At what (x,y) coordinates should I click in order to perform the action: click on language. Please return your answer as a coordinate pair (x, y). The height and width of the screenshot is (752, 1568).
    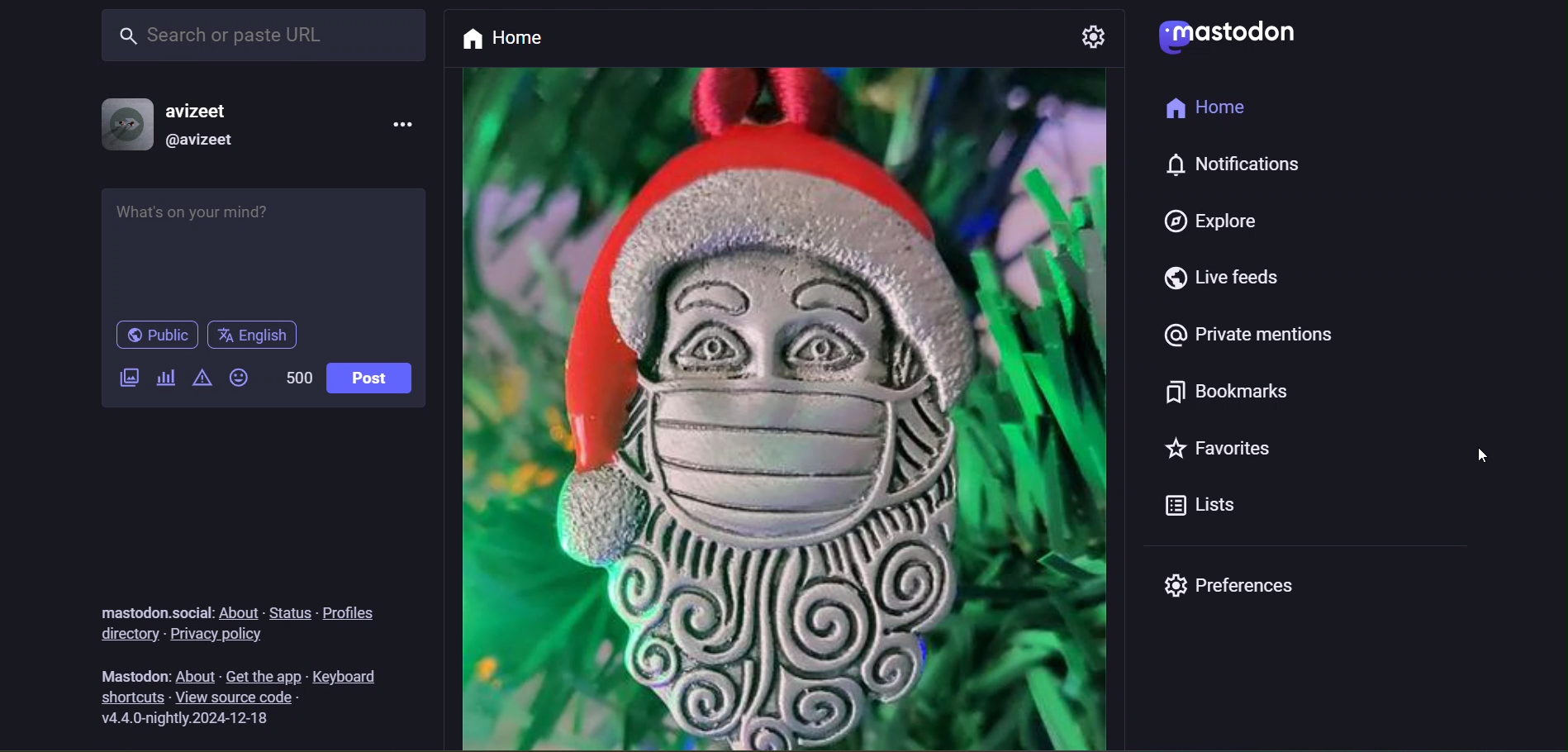
    Looking at the image, I should click on (252, 336).